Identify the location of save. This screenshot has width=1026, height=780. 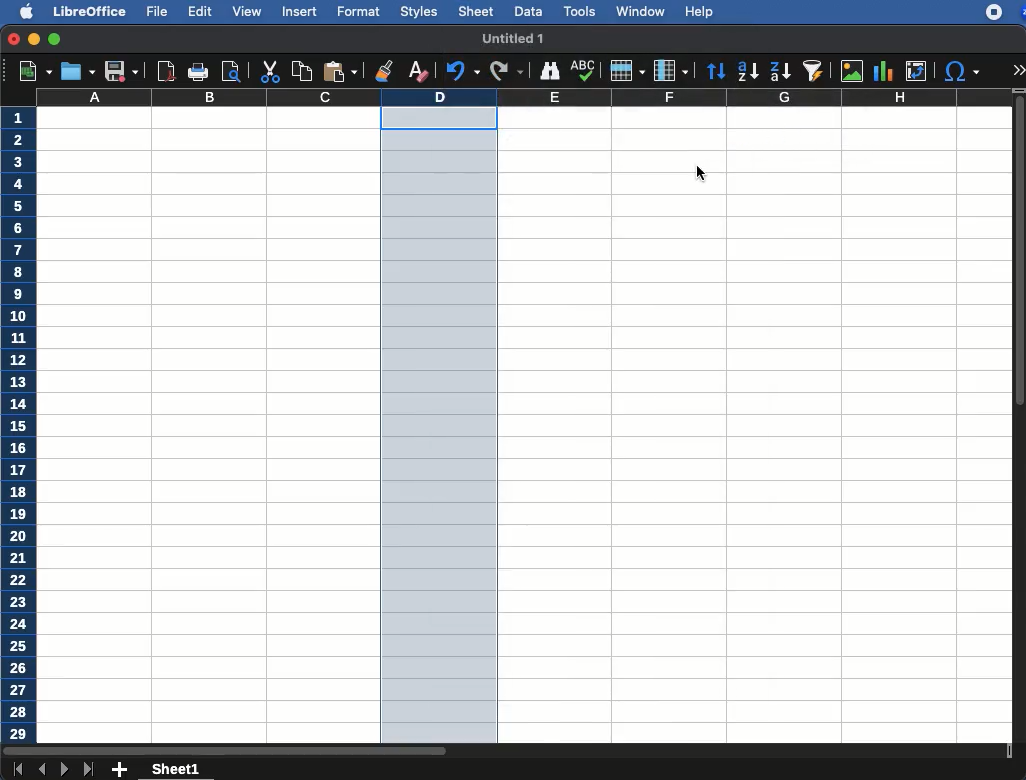
(76, 71).